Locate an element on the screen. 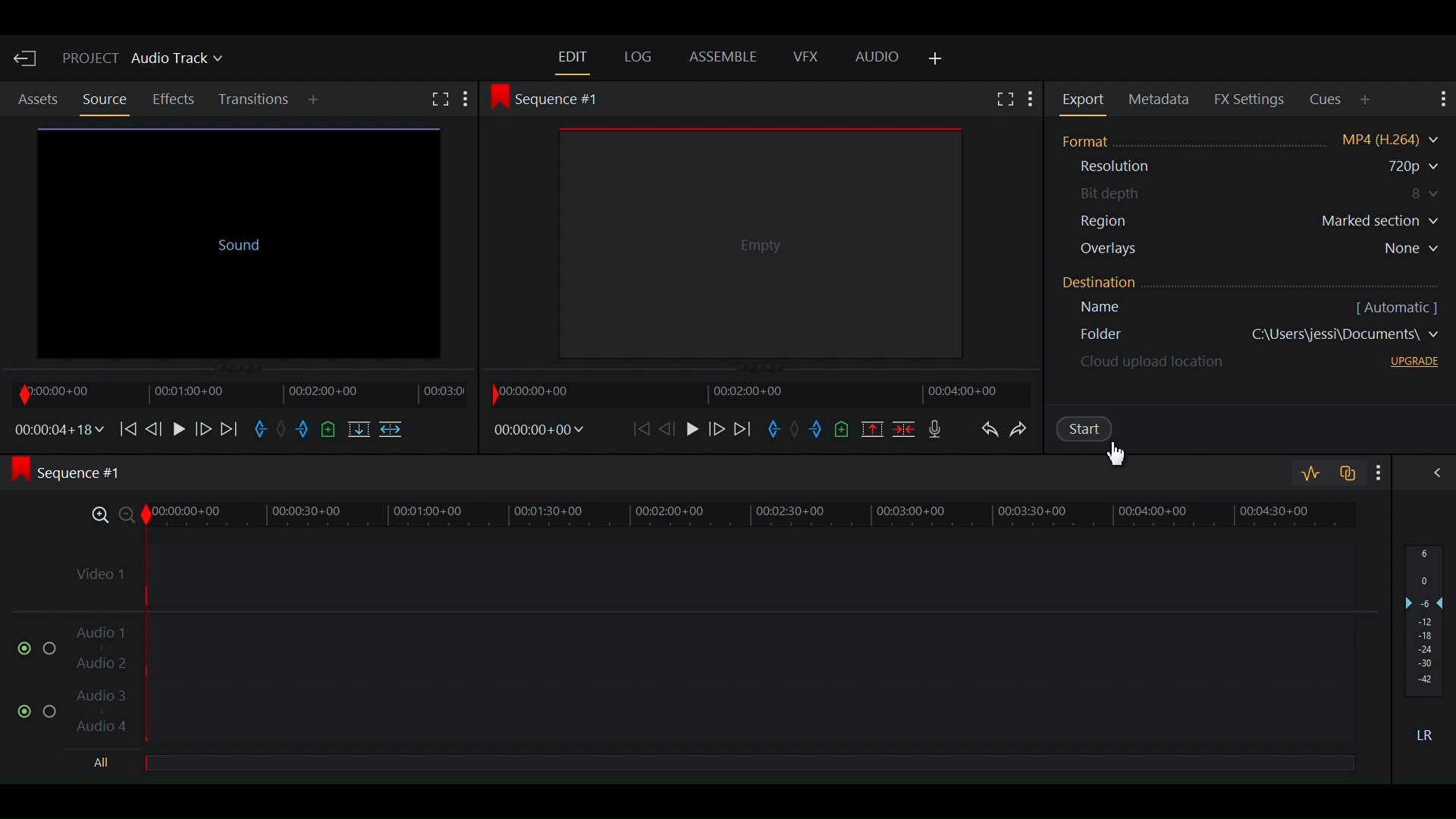  Show settings menu is located at coordinates (1375, 472).